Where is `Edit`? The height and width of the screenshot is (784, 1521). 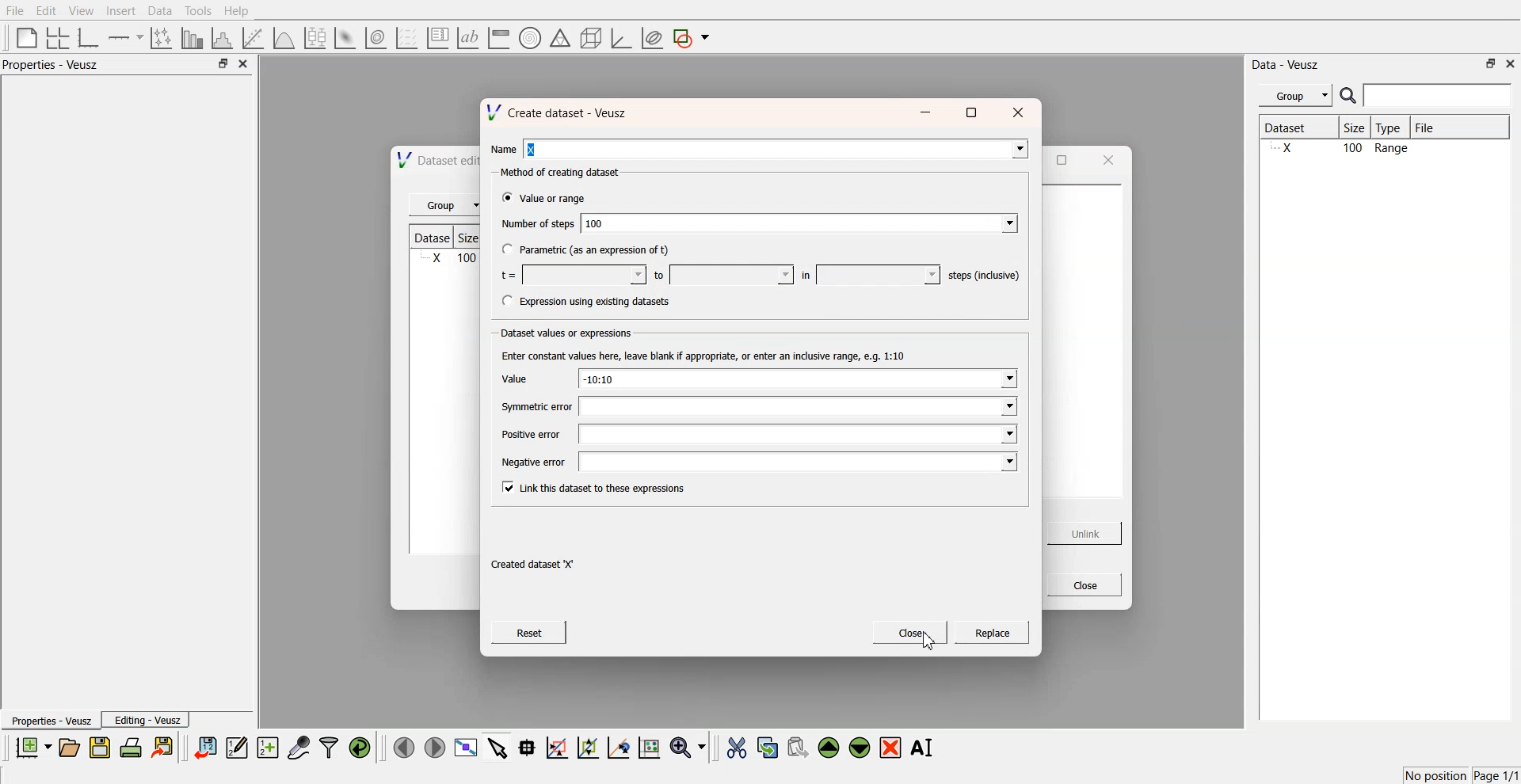
Edit is located at coordinates (47, 10).